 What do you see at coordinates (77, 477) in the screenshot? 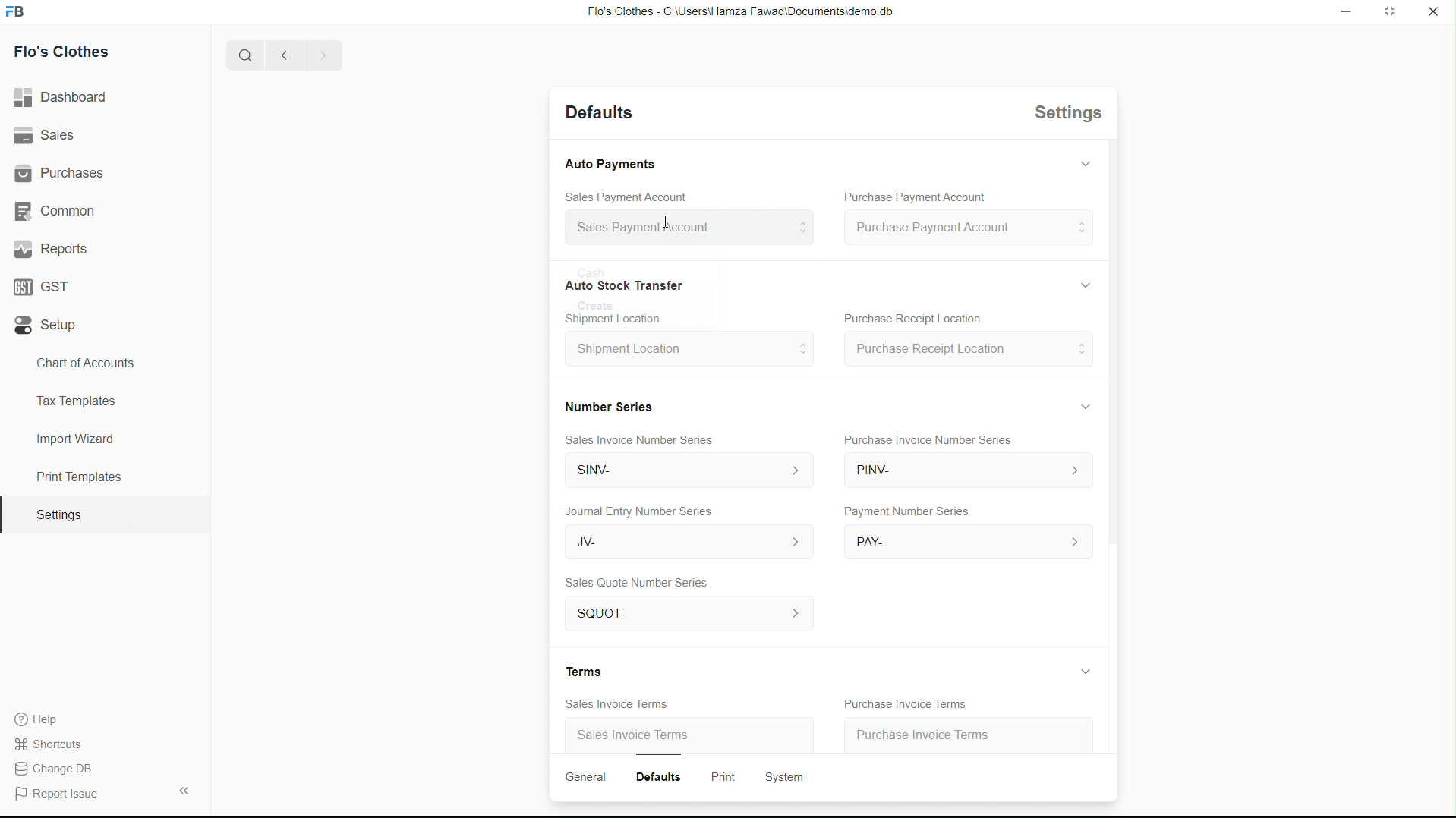
I see `Print Templates` at bounding box center [77, 477].